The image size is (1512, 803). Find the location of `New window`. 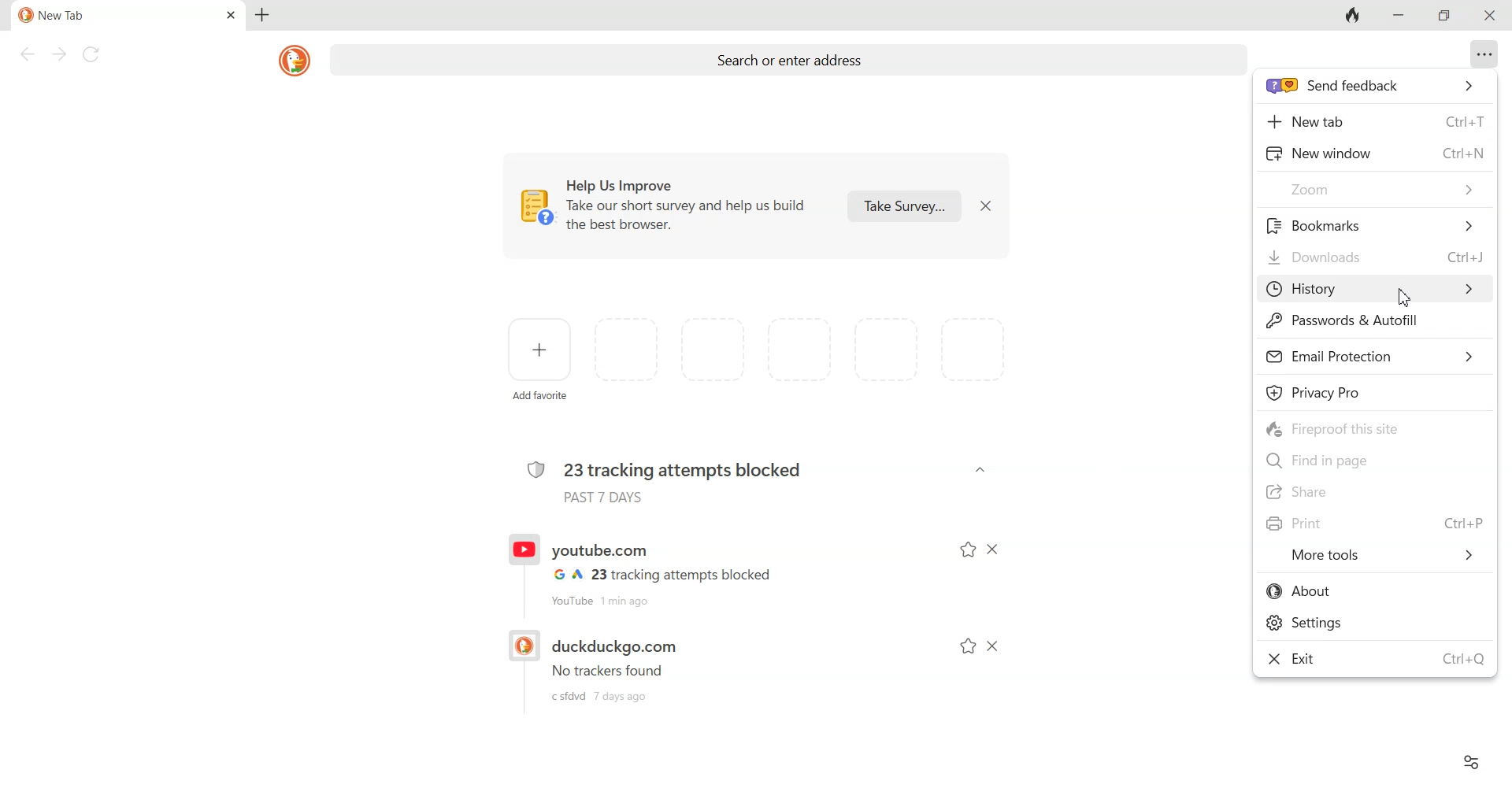

New window is located at coordinates (1375, 151).